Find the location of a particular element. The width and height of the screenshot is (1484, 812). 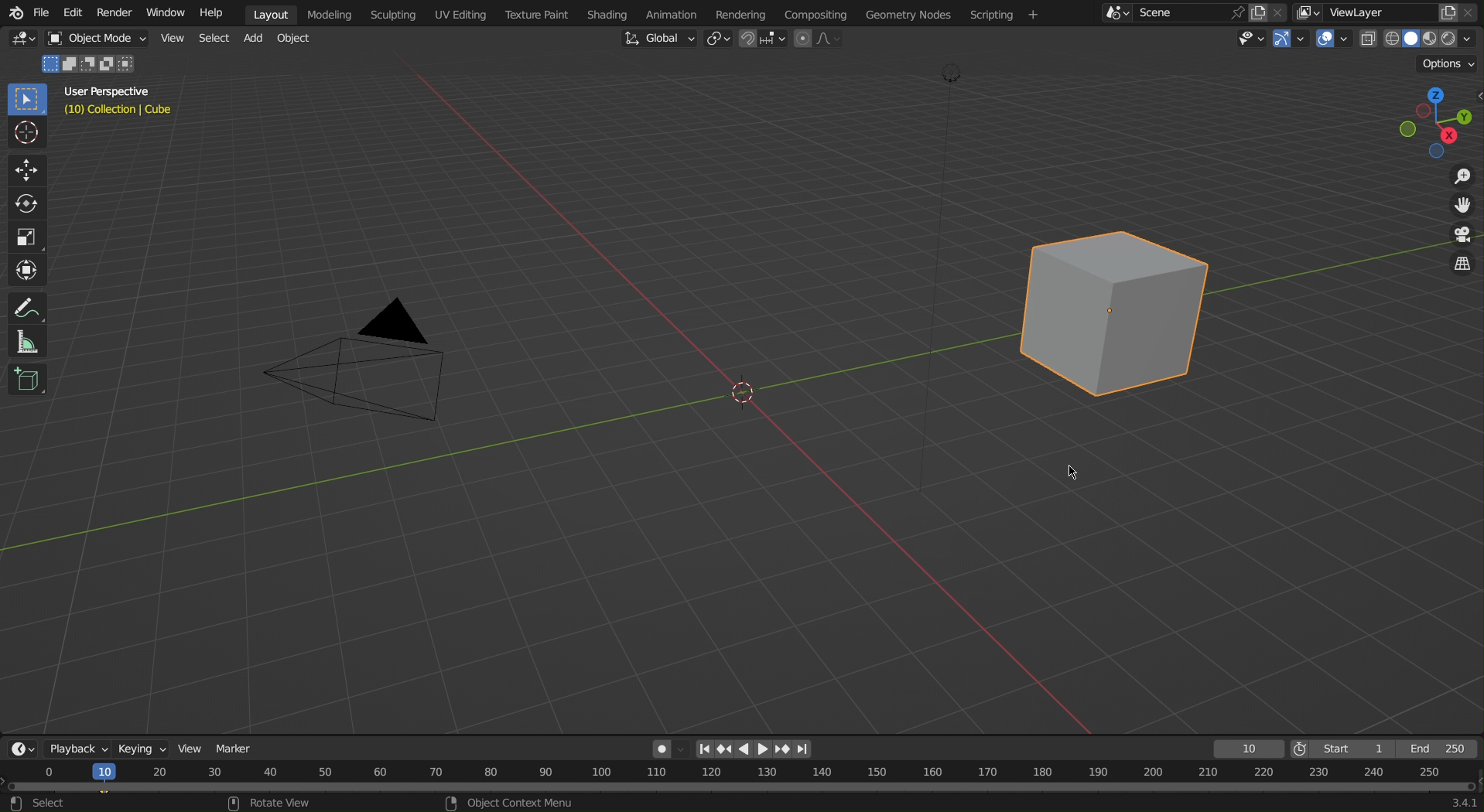

Previous is located at coordinates (723, 749).